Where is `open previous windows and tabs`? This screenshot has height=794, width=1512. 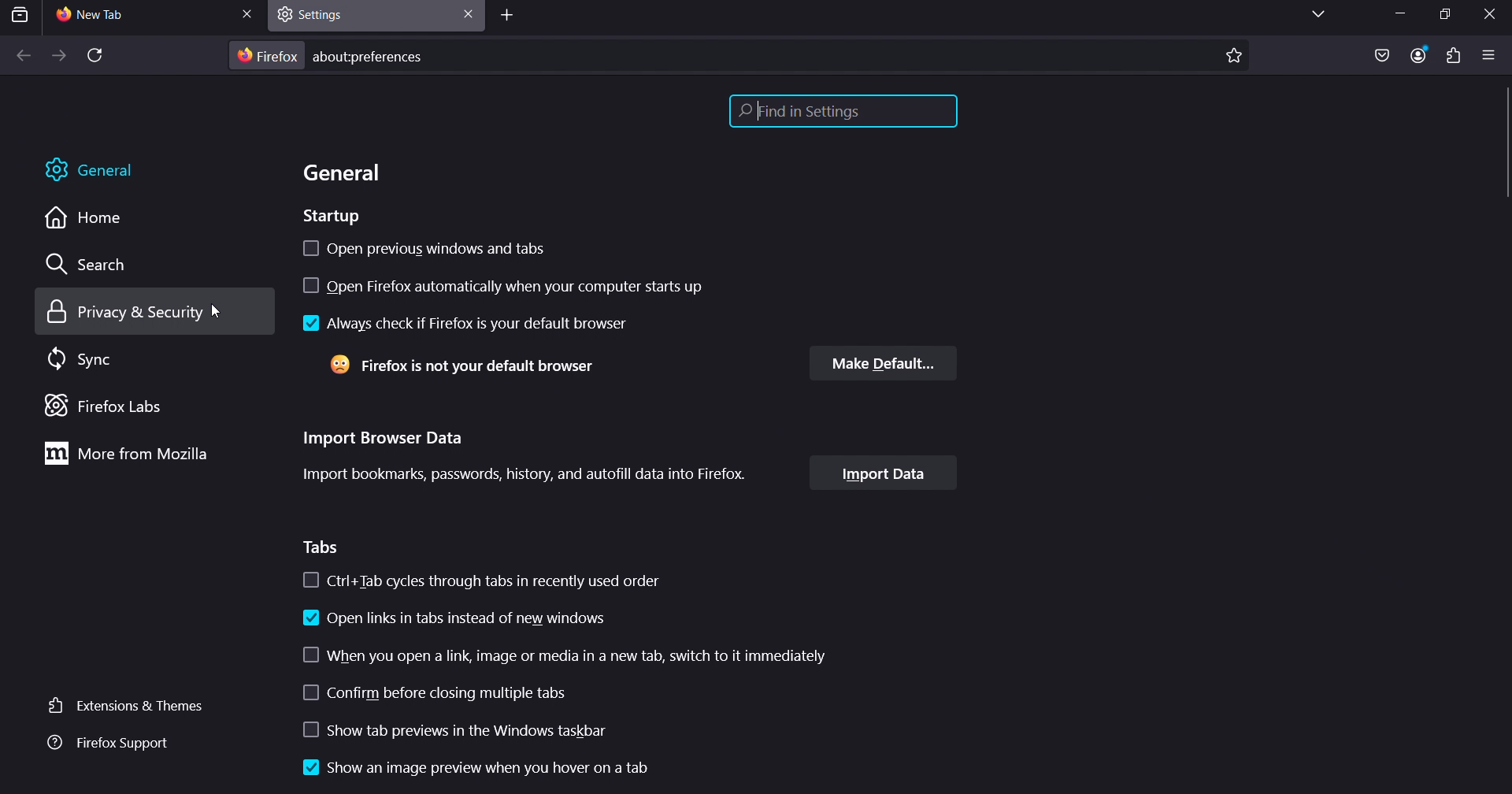 open previous windows and tabs is located at coordinates (427, 245).